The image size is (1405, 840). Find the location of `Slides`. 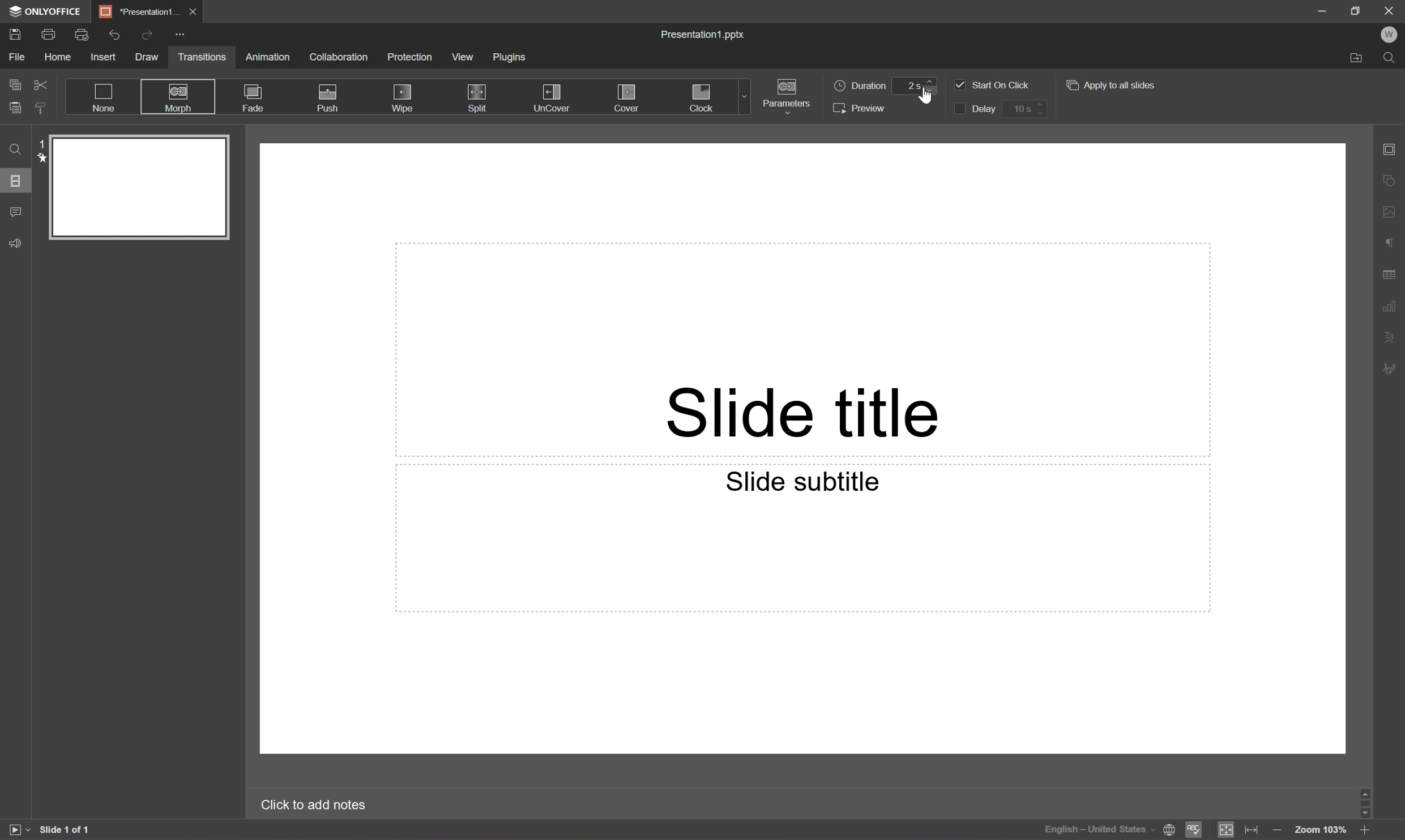

Slides is located at coordinates (17, 181).